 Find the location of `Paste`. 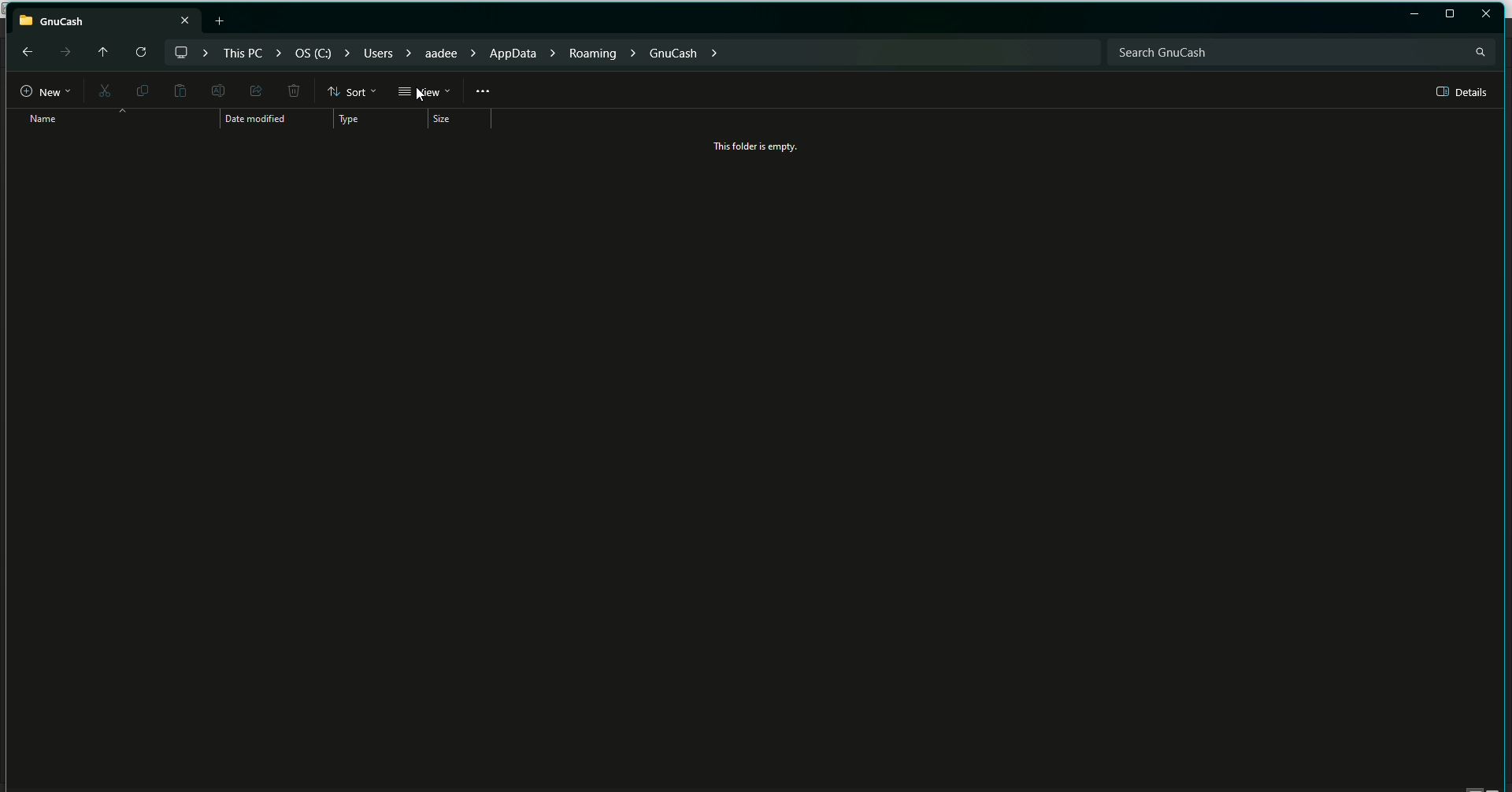

Paste is located at coordinates (180, 91).